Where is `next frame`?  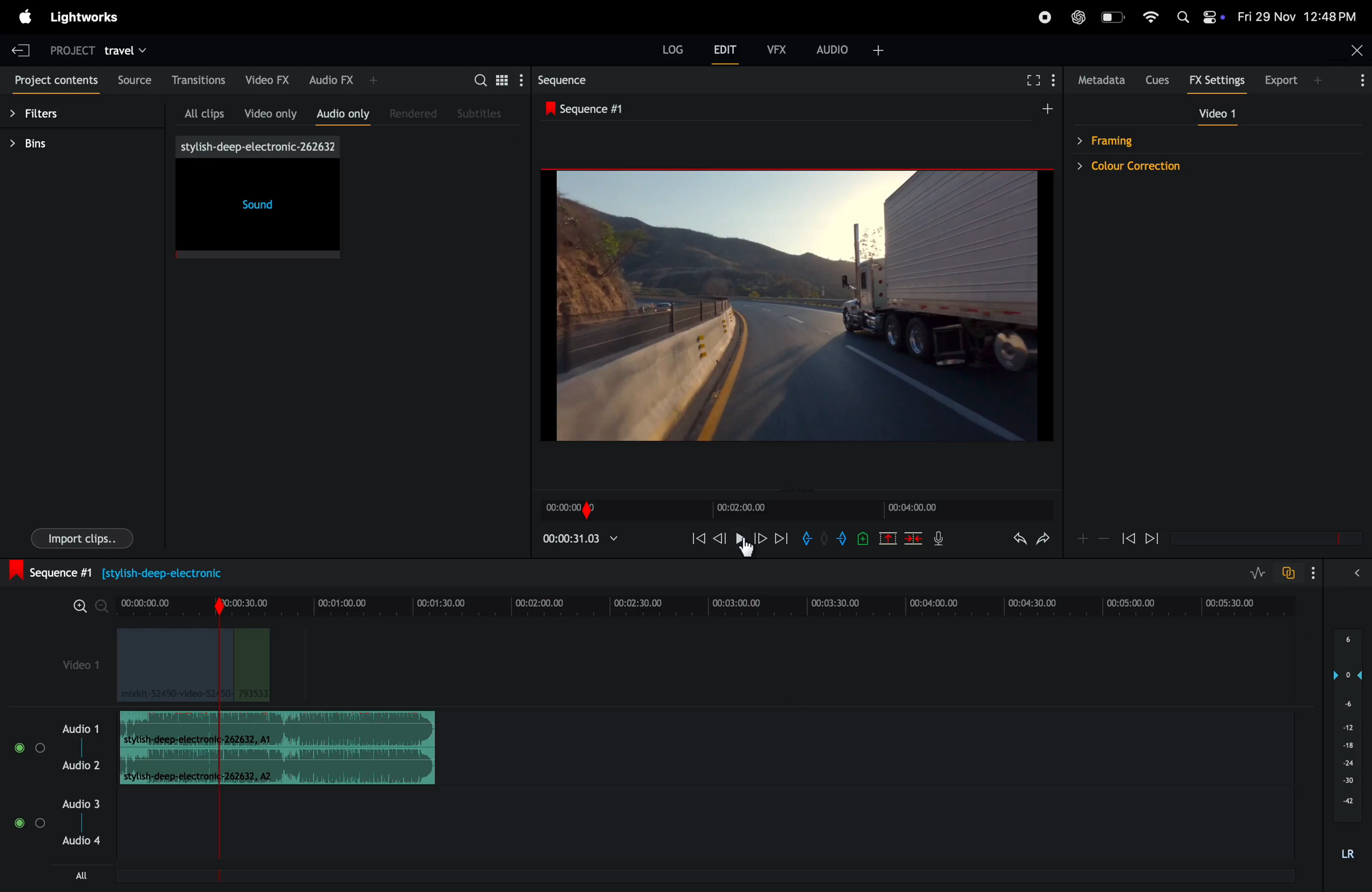
next frame is located at coordinates (763, 537).